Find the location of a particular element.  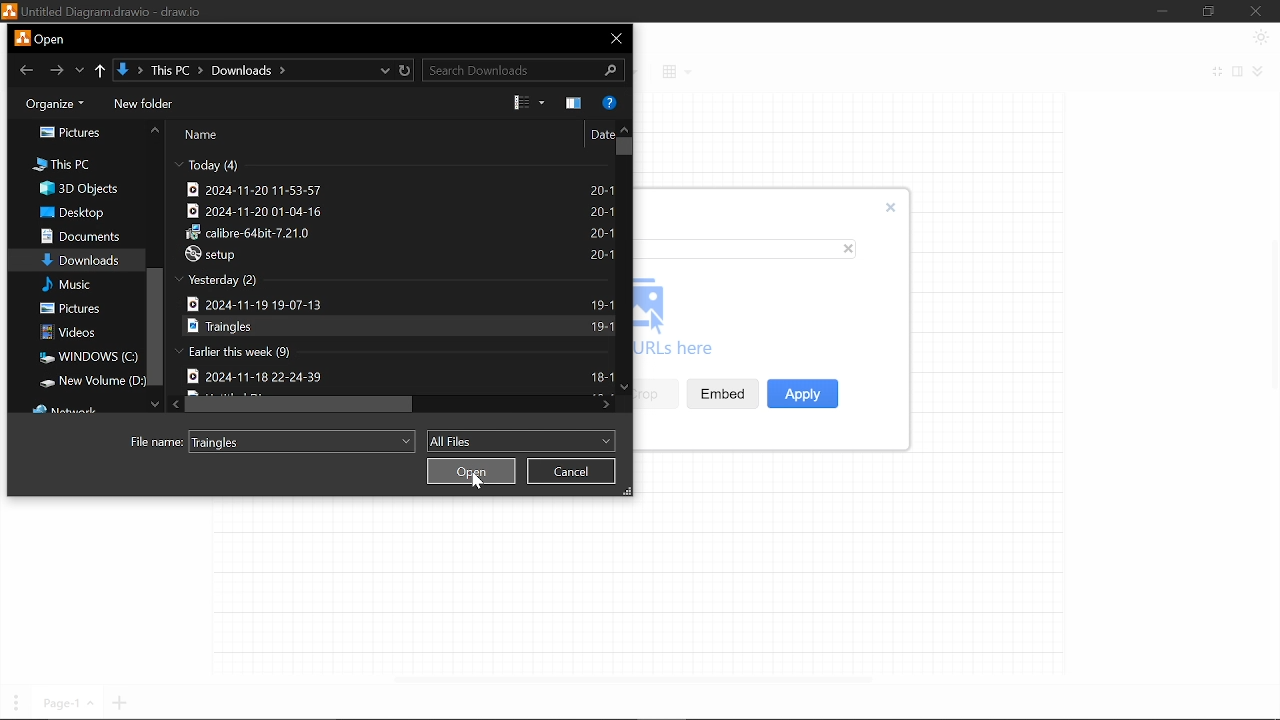

Today (4) is located at coordinates (211, 165).